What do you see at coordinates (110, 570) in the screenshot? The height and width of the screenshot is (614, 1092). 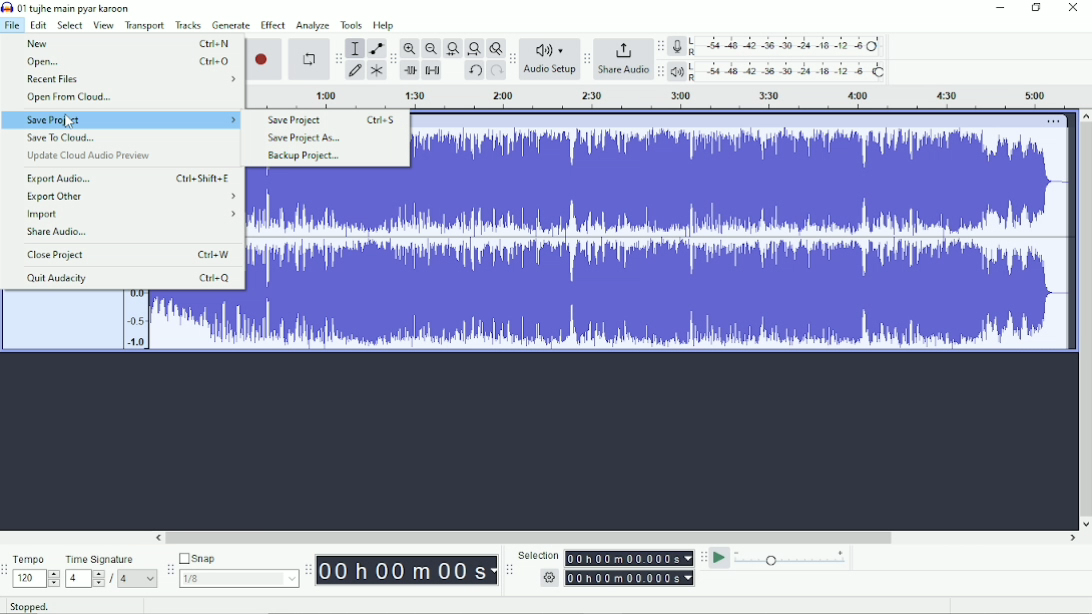 I see `Time Signature` at bounding box center [110, 570].